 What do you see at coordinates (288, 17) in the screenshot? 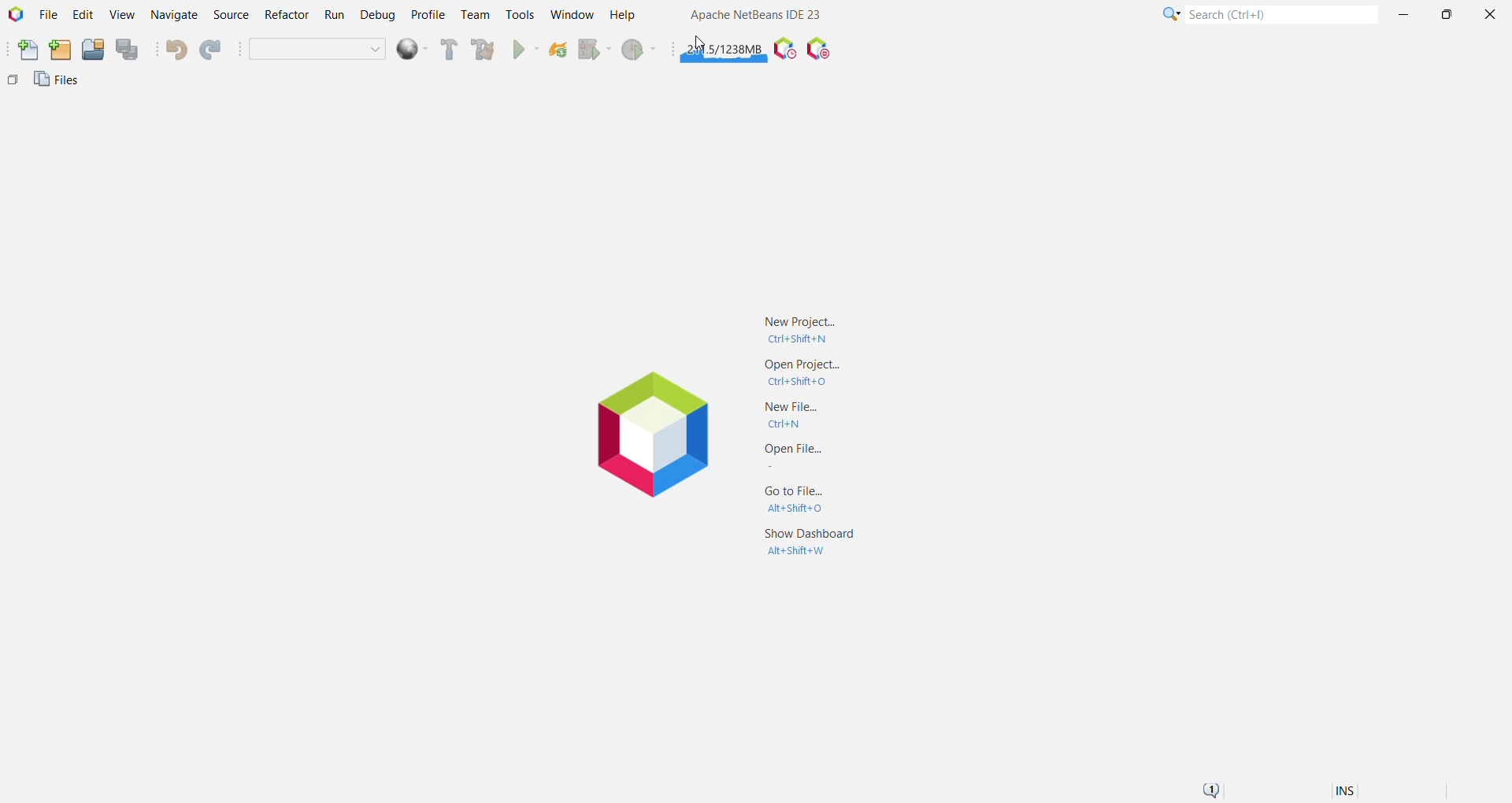
I see `Refactor` at bounding box center [288, 17].